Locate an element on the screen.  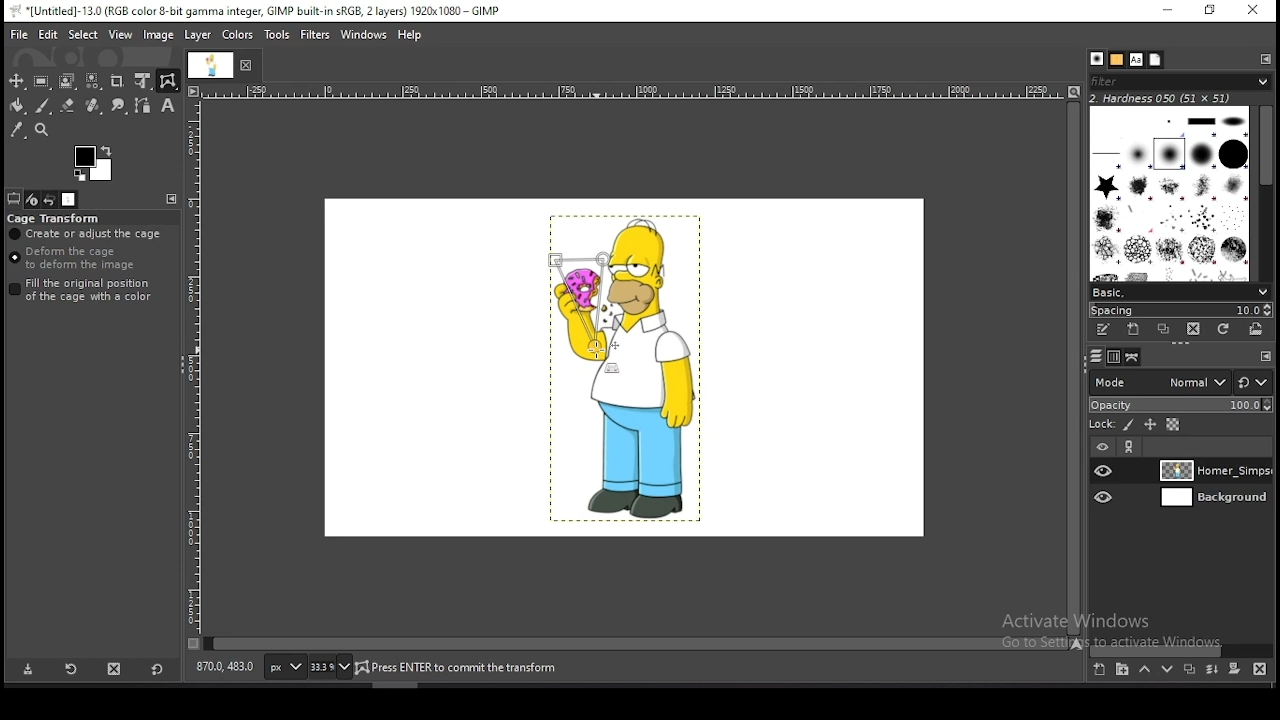
create a new layer group is located at coordinates (1123, 670).